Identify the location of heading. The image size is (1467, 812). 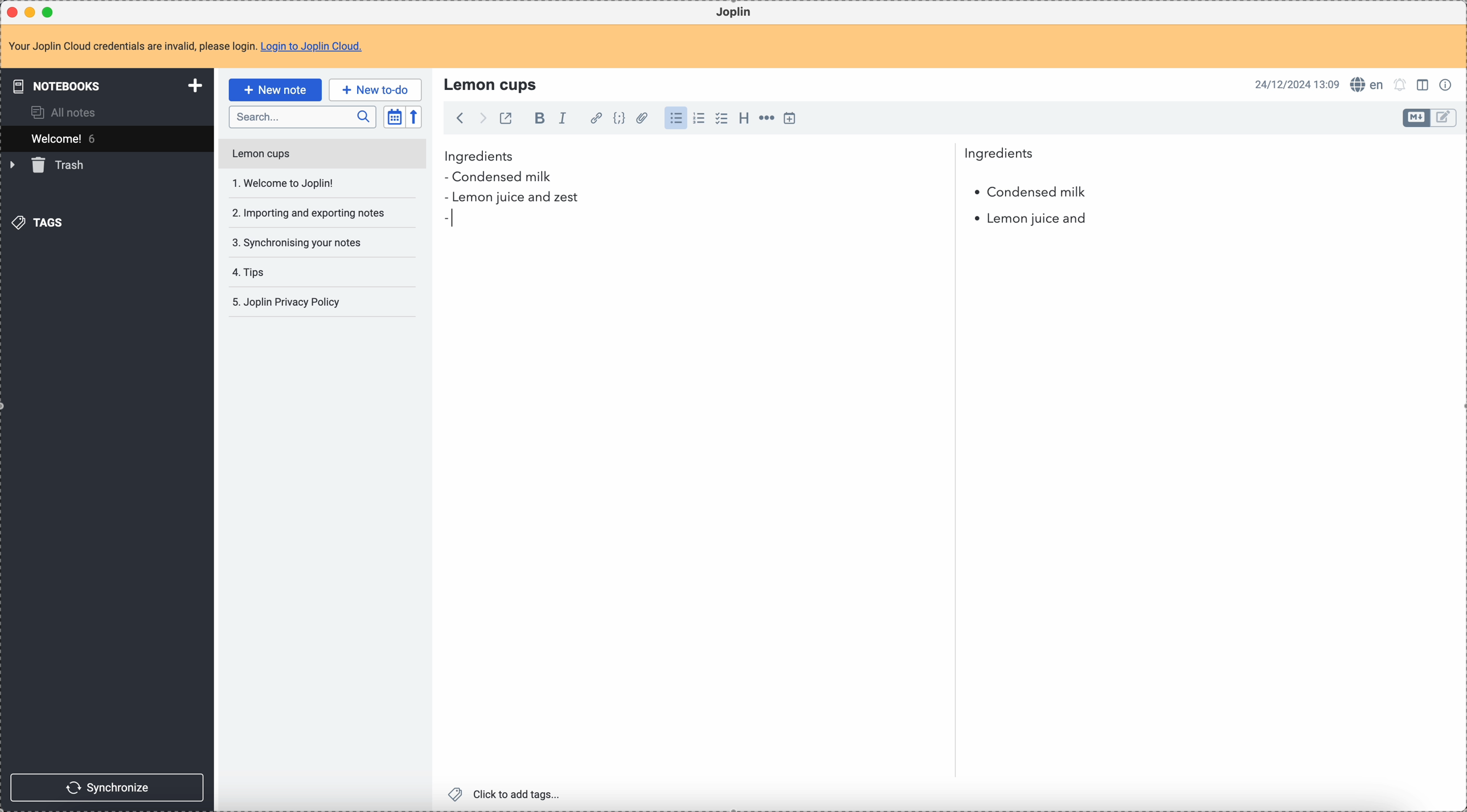
(744, 117).